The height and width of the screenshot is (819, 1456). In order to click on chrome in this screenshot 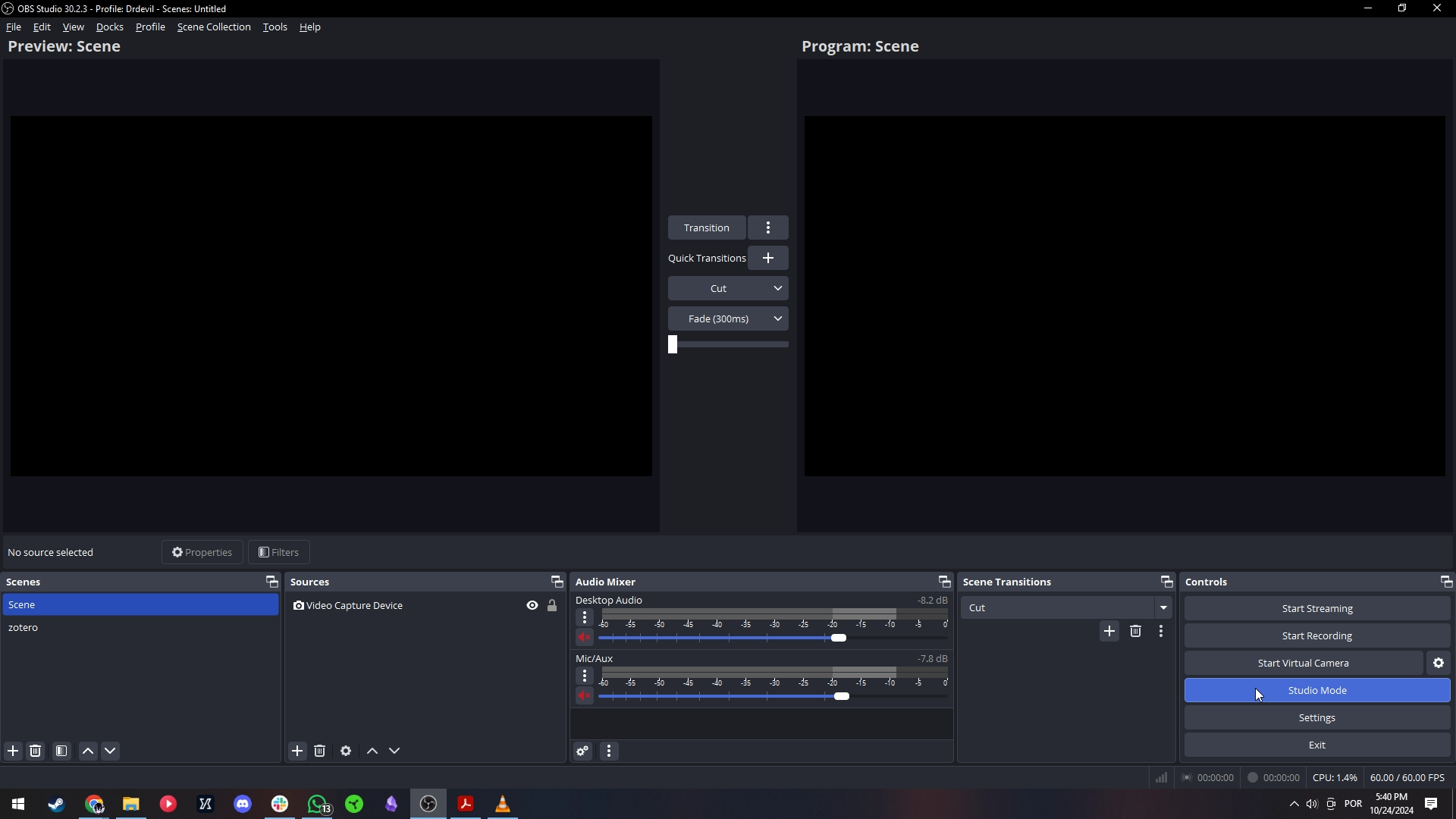, I will do `click(95, 804)`.